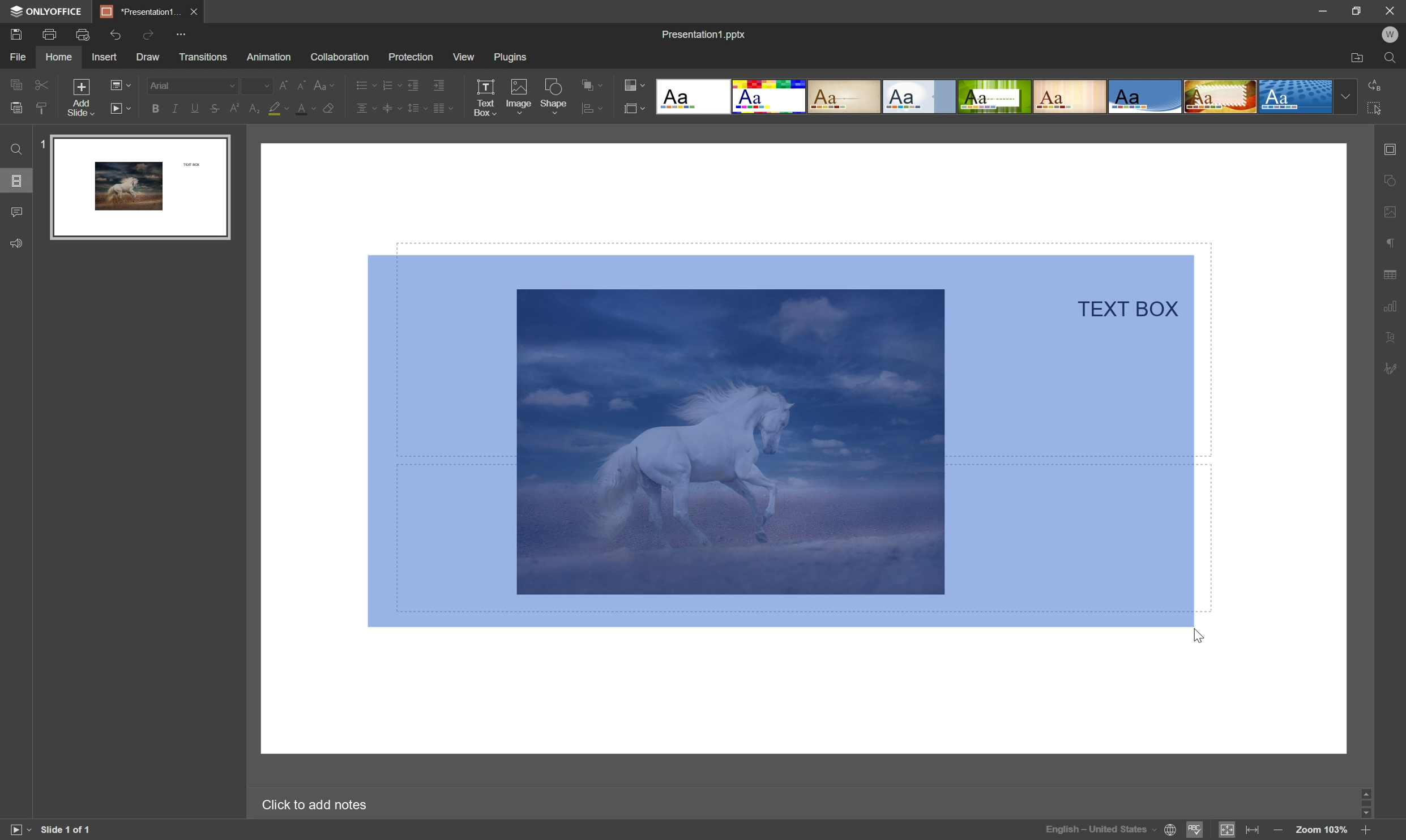 Image resolution: width=1406 pixels, height=840 pixels. I want to click on slide 1 of 1, so click(67, 830).